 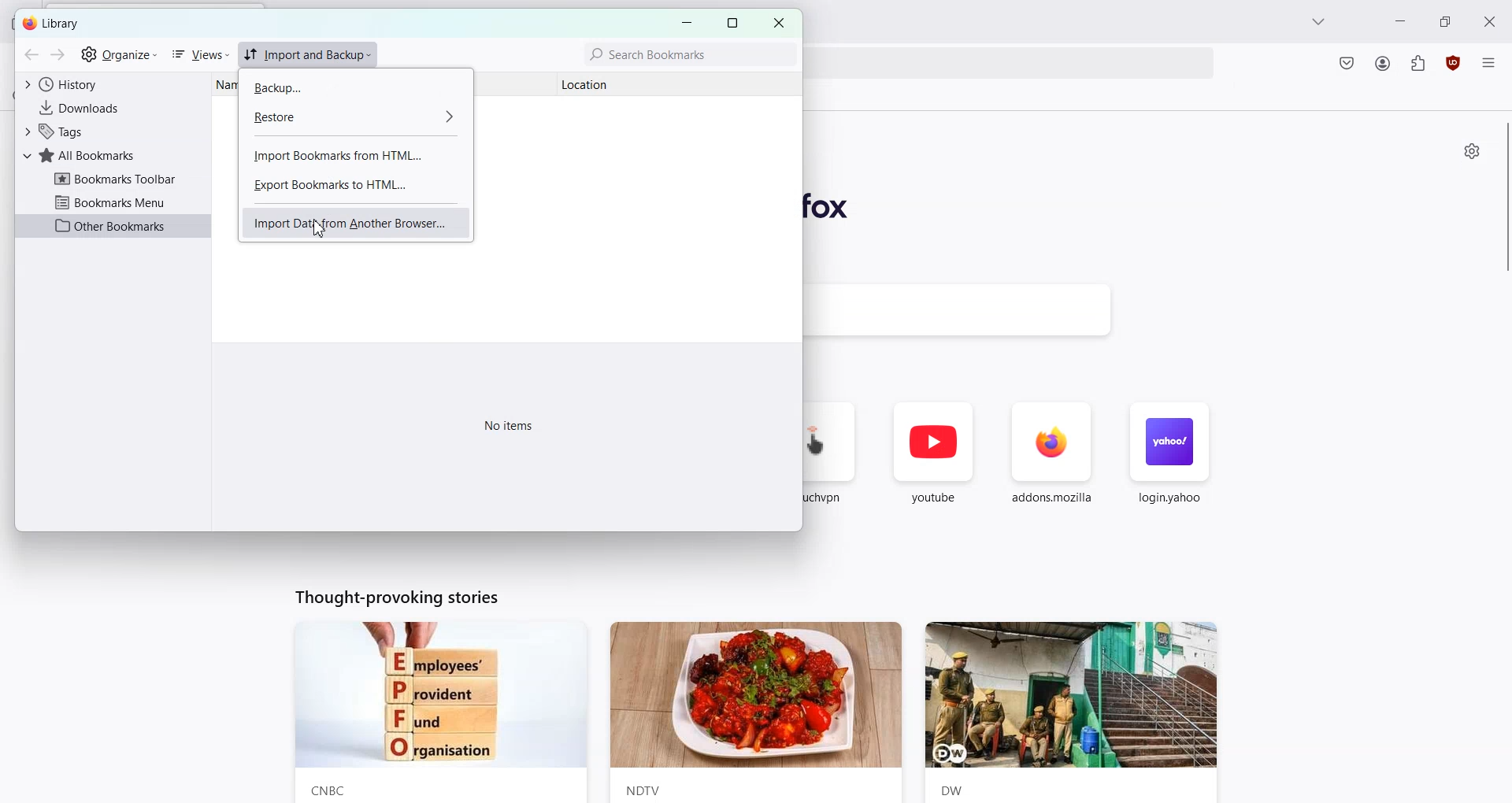 I want to click on News, so click(x=438, y=712).